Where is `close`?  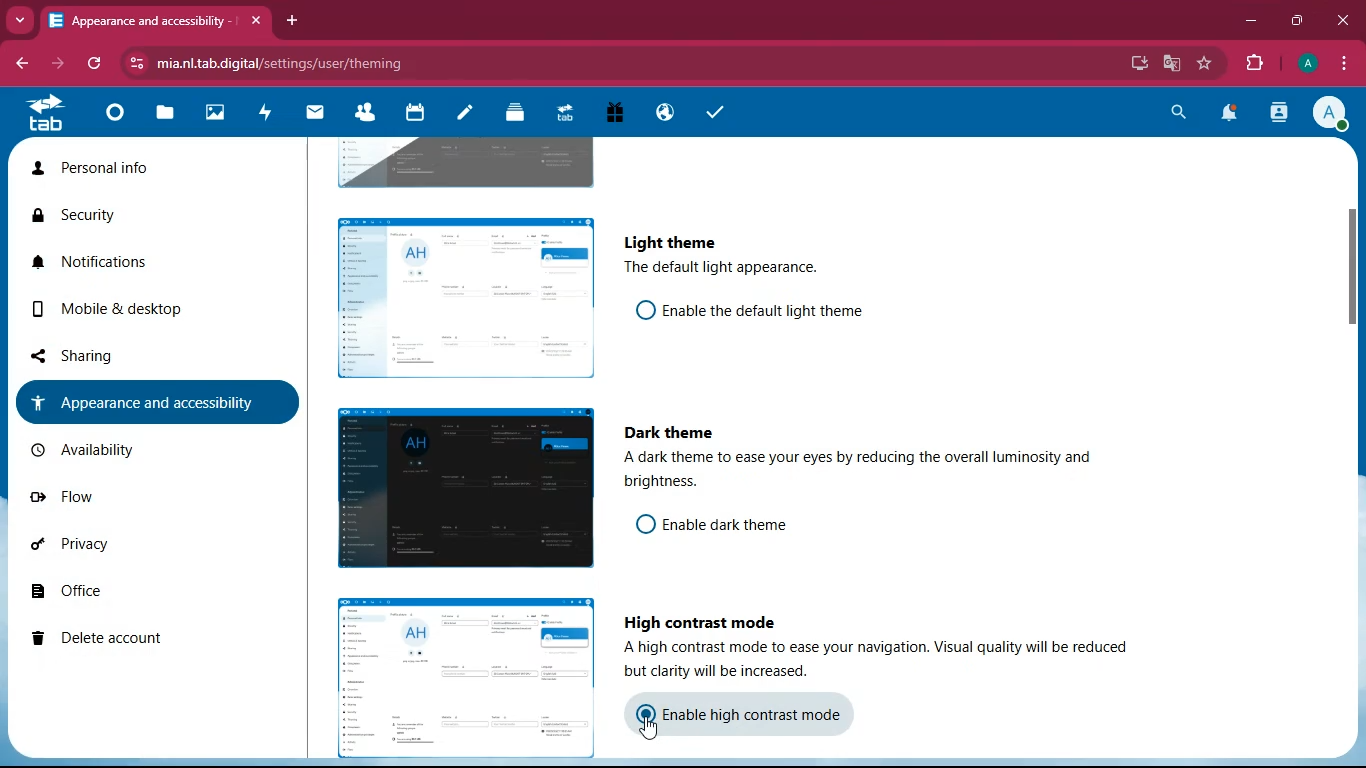
close is located at coordinates (1341, 20).